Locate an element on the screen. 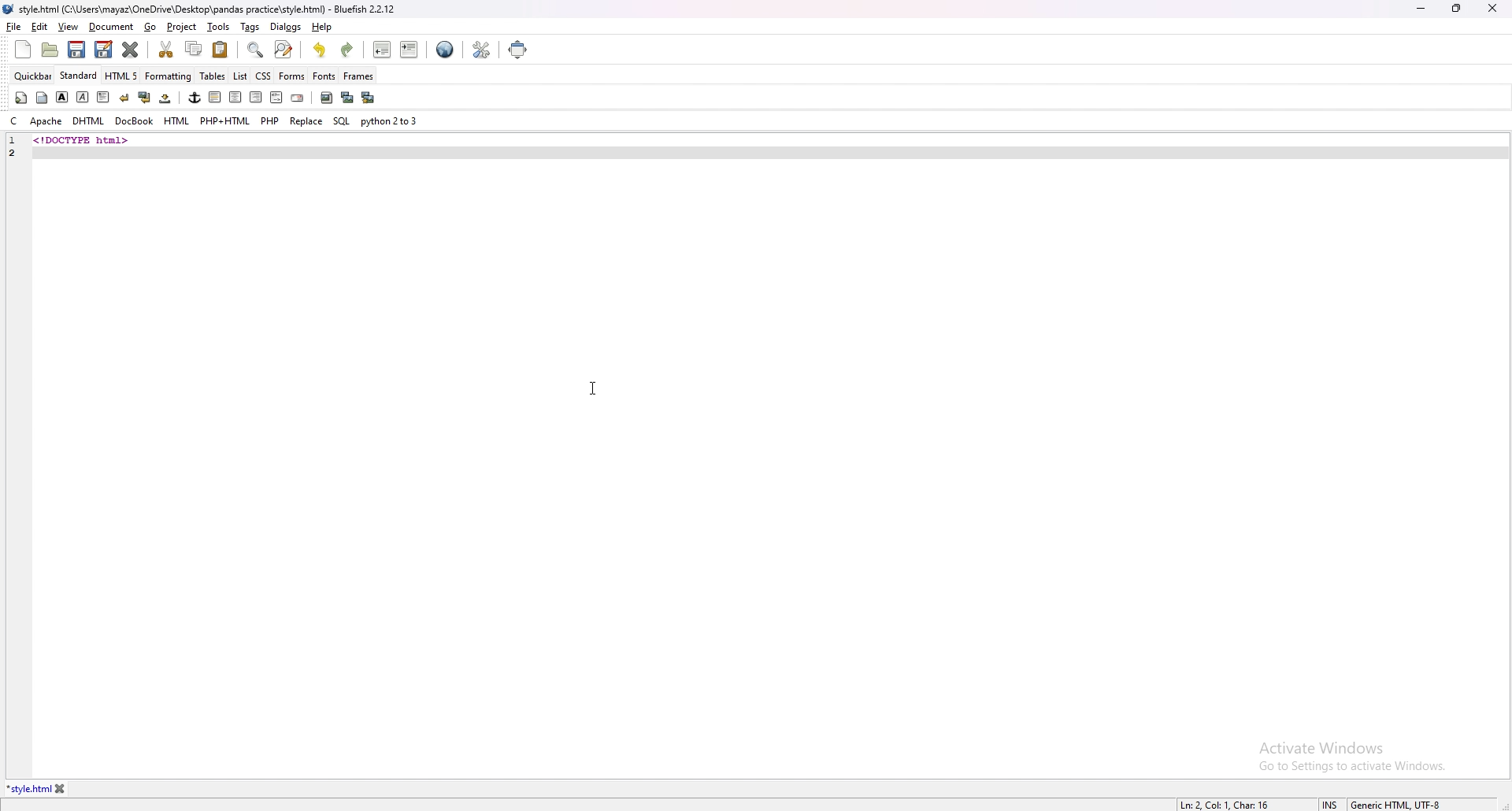 Image resolution: width=1512 pixels, height=811 pixels. full screen is located at coordinates (520, 49).